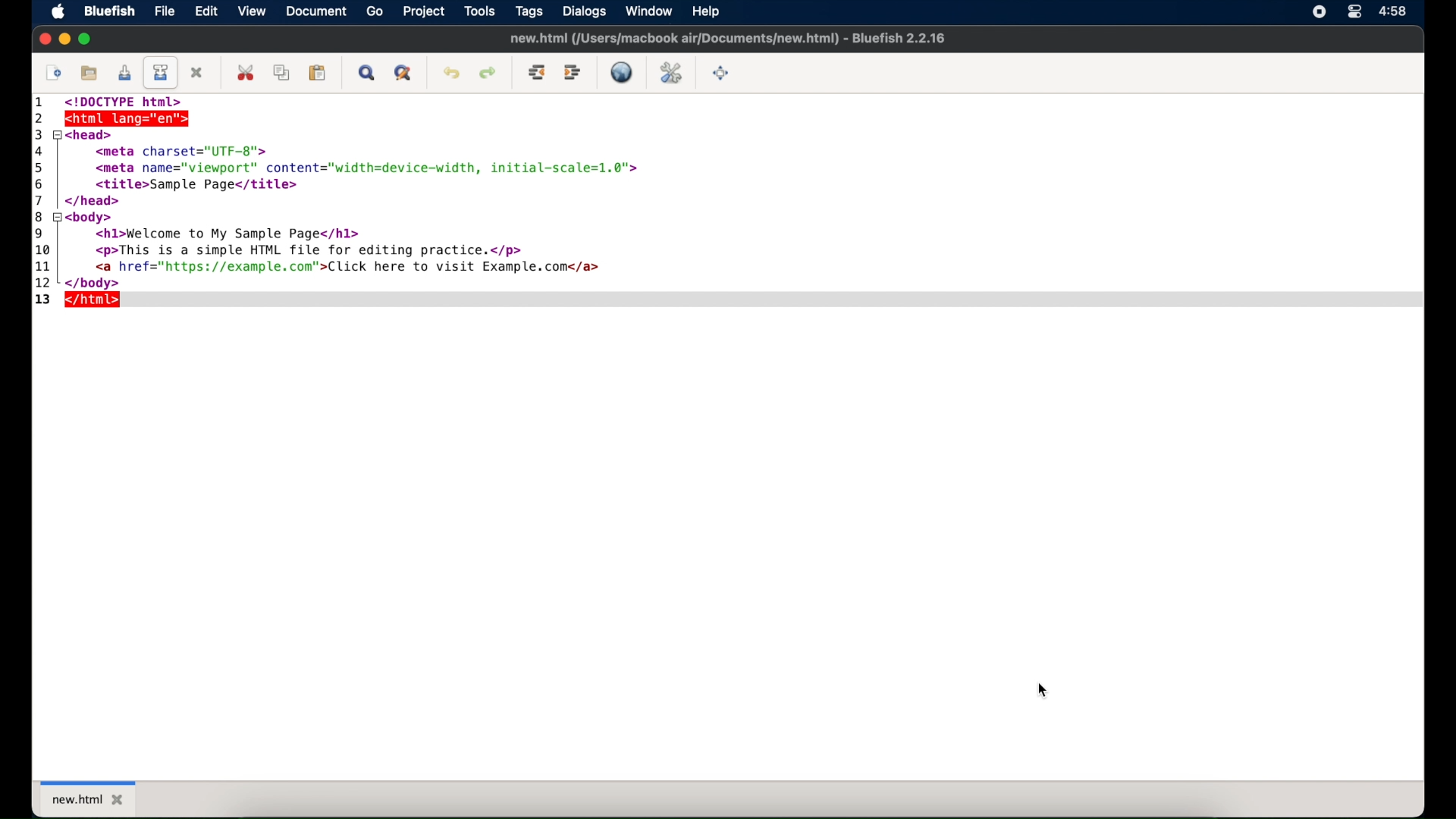 Image resolution: width=1456 pixels, height=819 pixels. I want to click on <hl>Welcome to My Sample Page</hl>, so click(221, 233).